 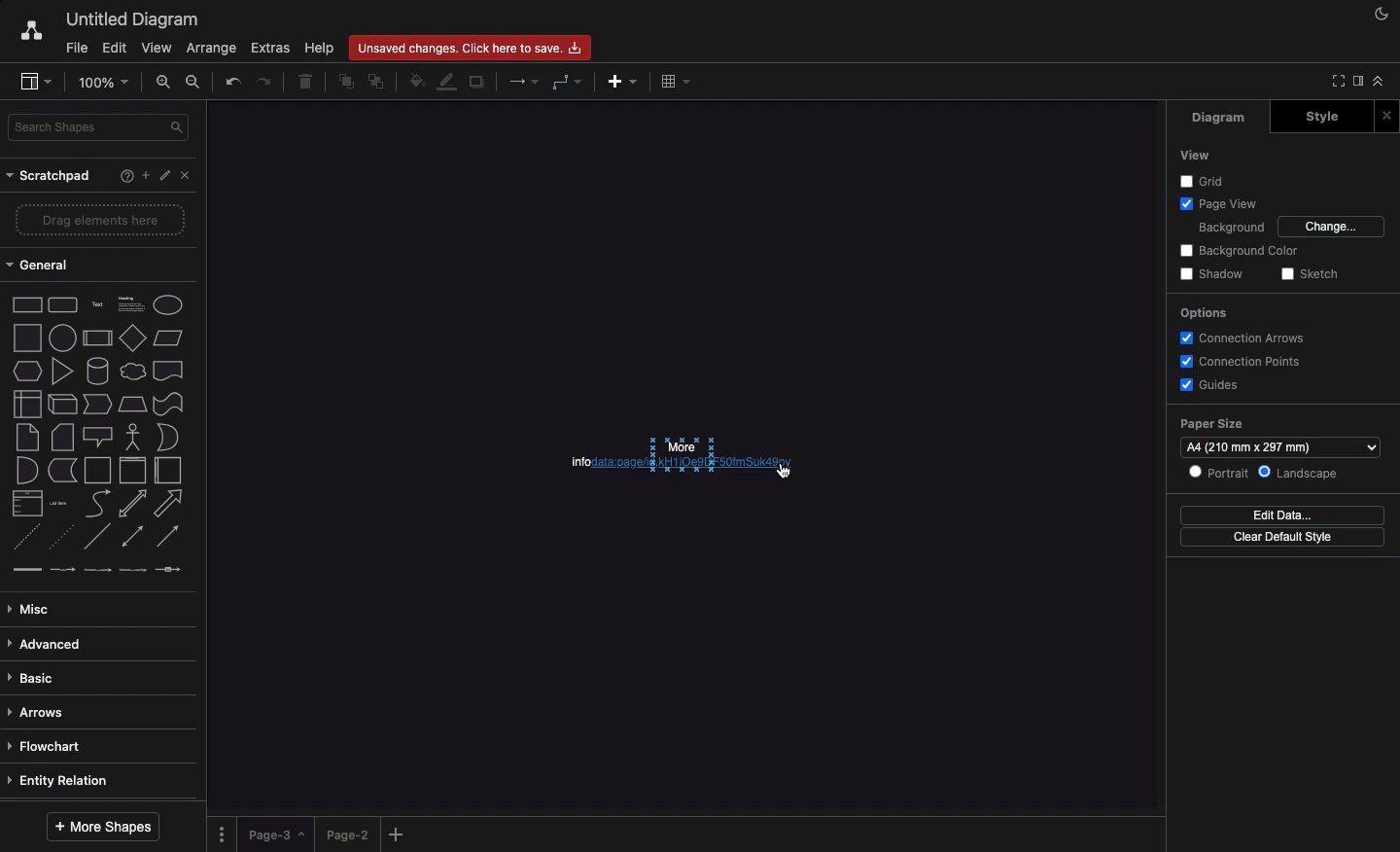 I want to click on square, so click(x=27, y=337).